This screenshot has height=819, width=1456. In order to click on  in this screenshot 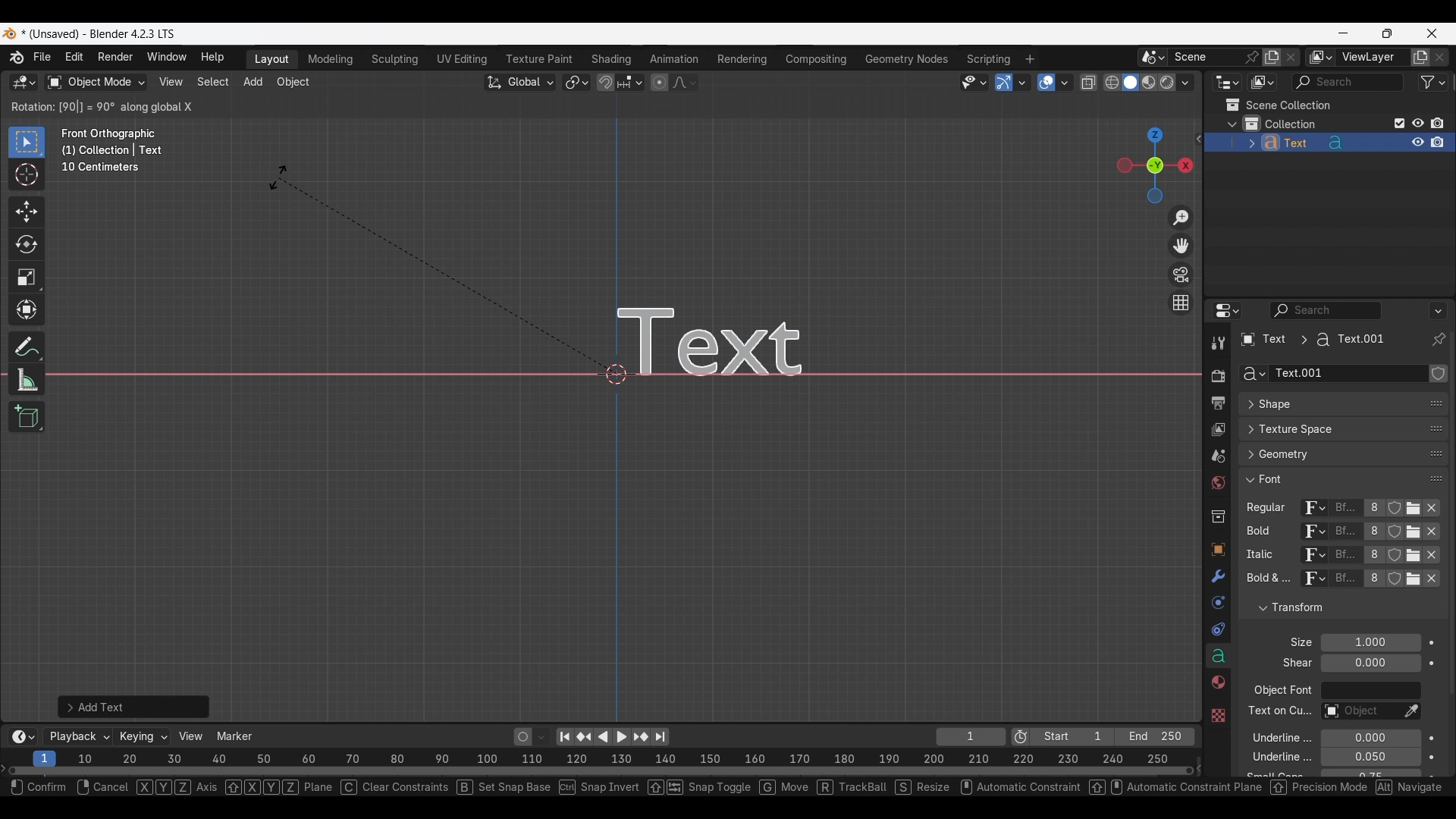, I will do `click(1217, 714)`.